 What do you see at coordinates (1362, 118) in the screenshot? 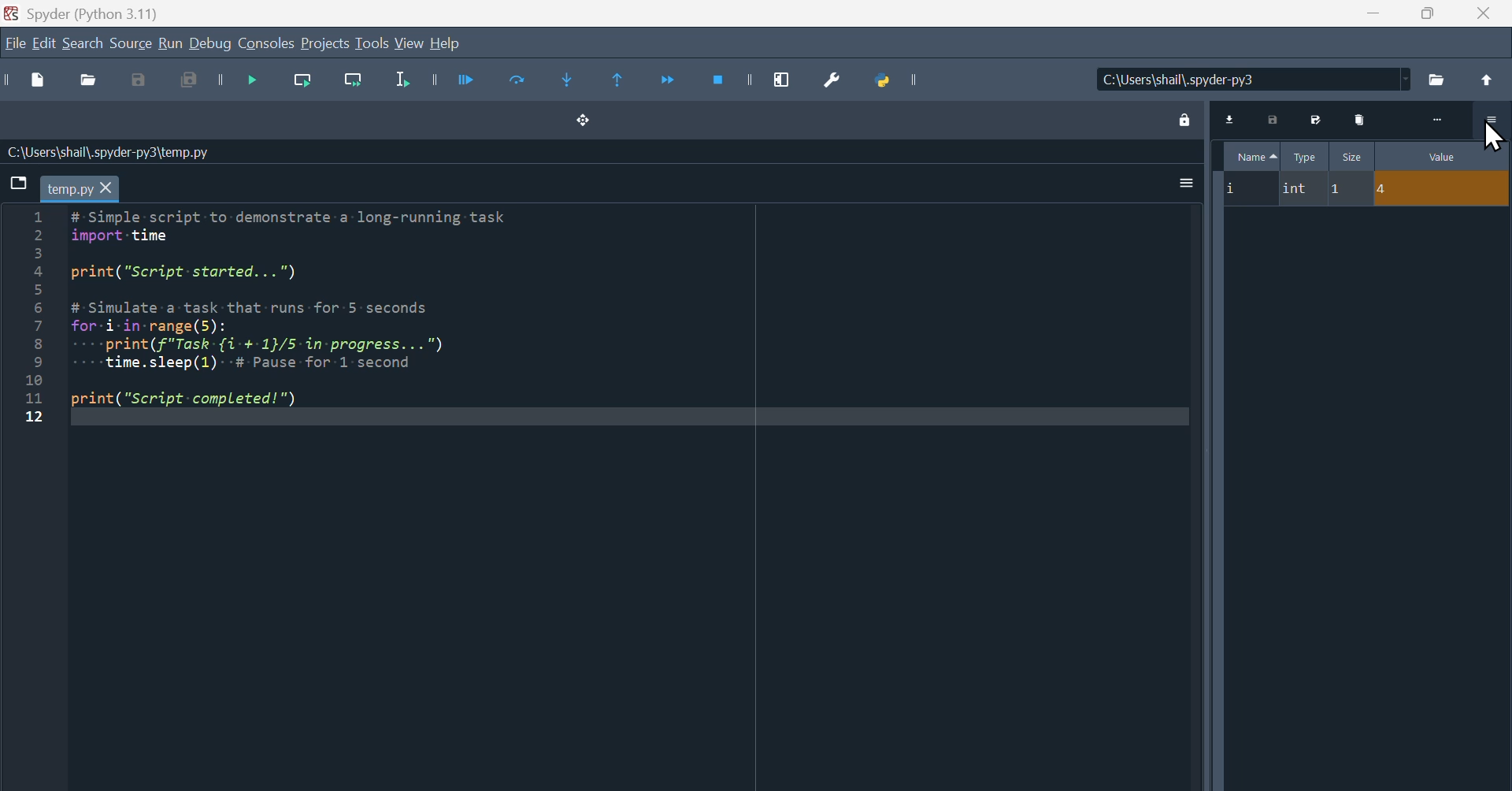
I see `Delete` at bounding box center [1362, 118].